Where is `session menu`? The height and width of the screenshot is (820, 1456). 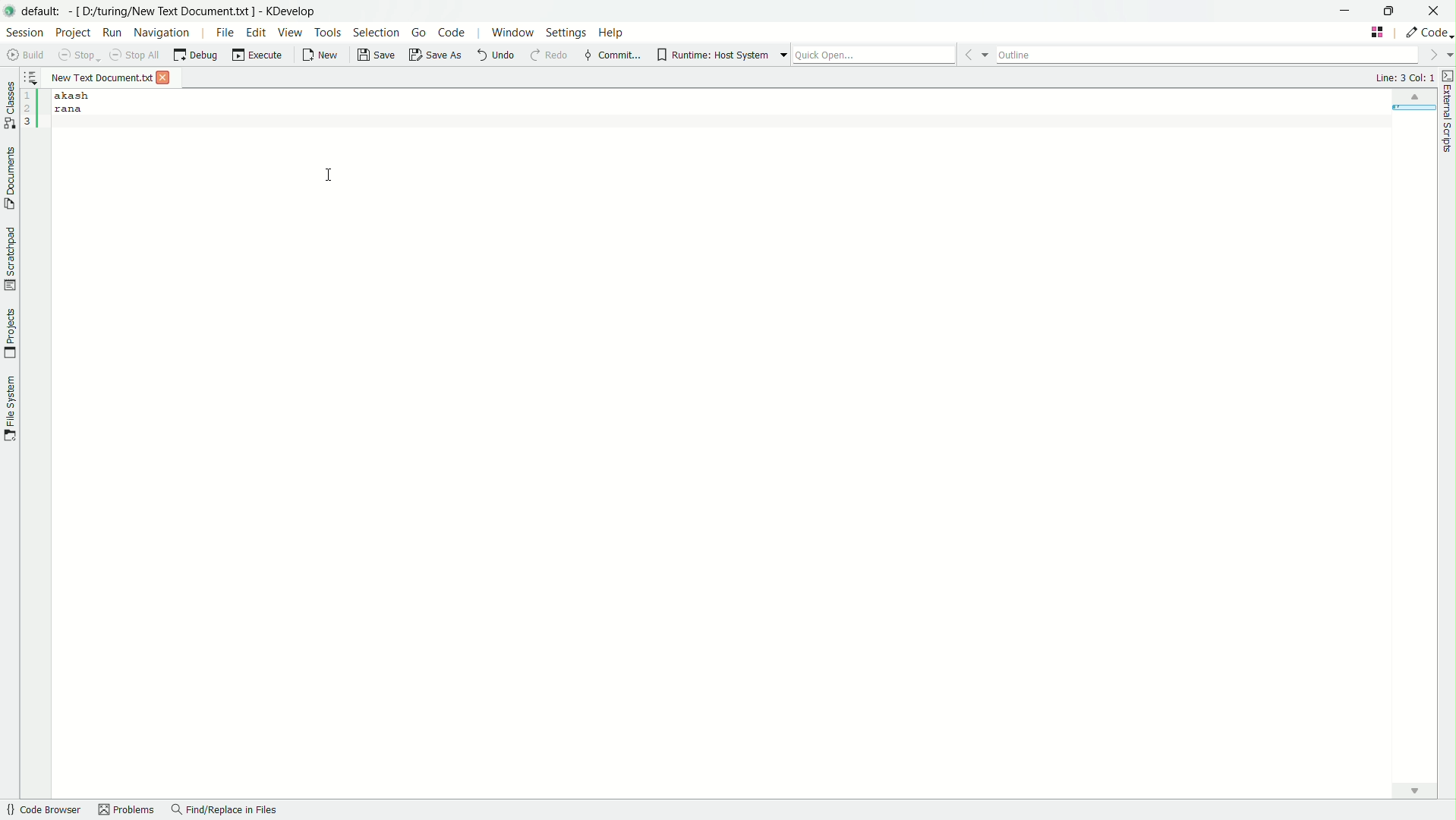 session menu is located at coordinates (24, 32).